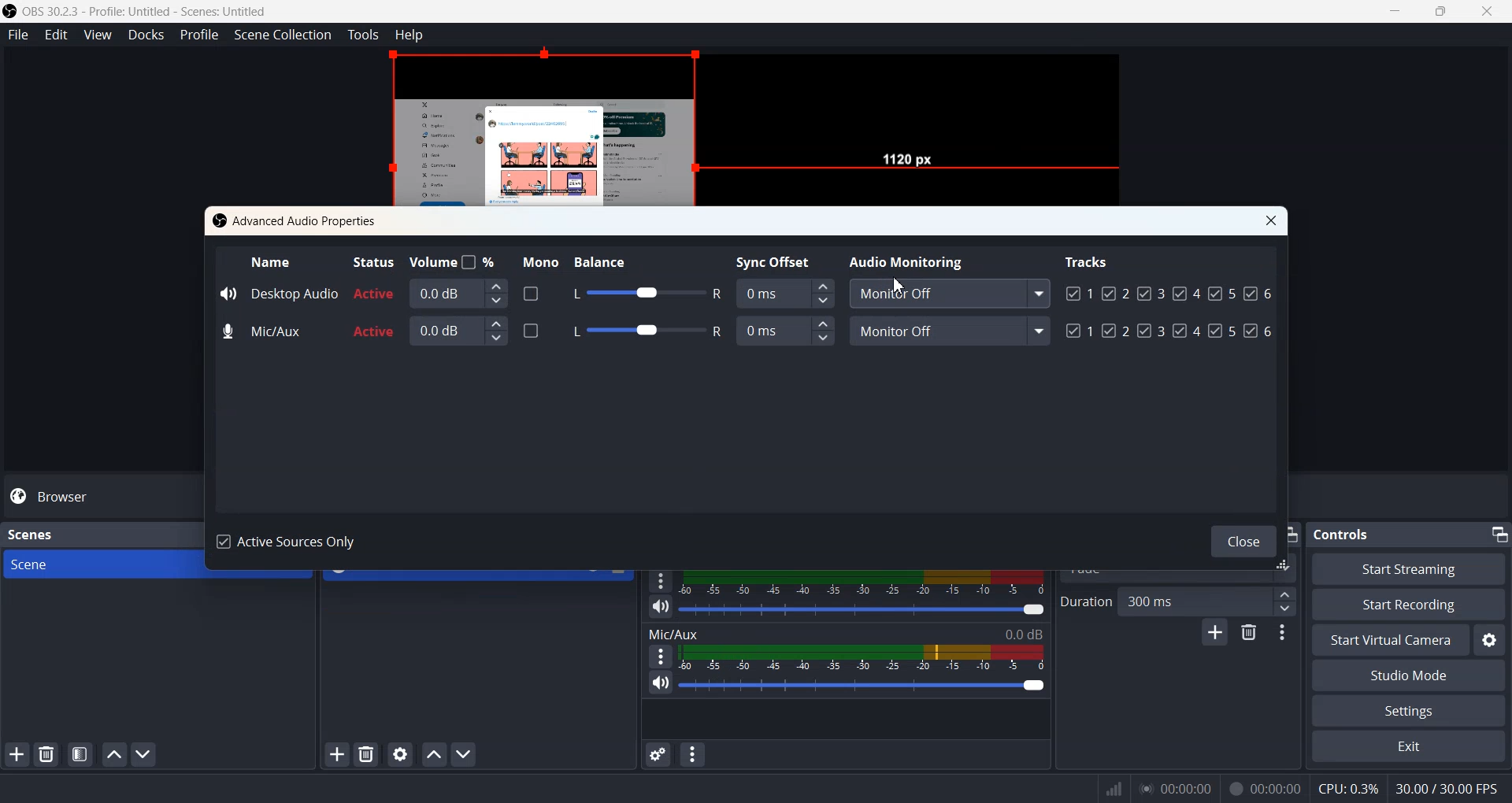  Describe the element at coordinates (642, 328) in the screenshot. I see `Balance adjuster` at that location.